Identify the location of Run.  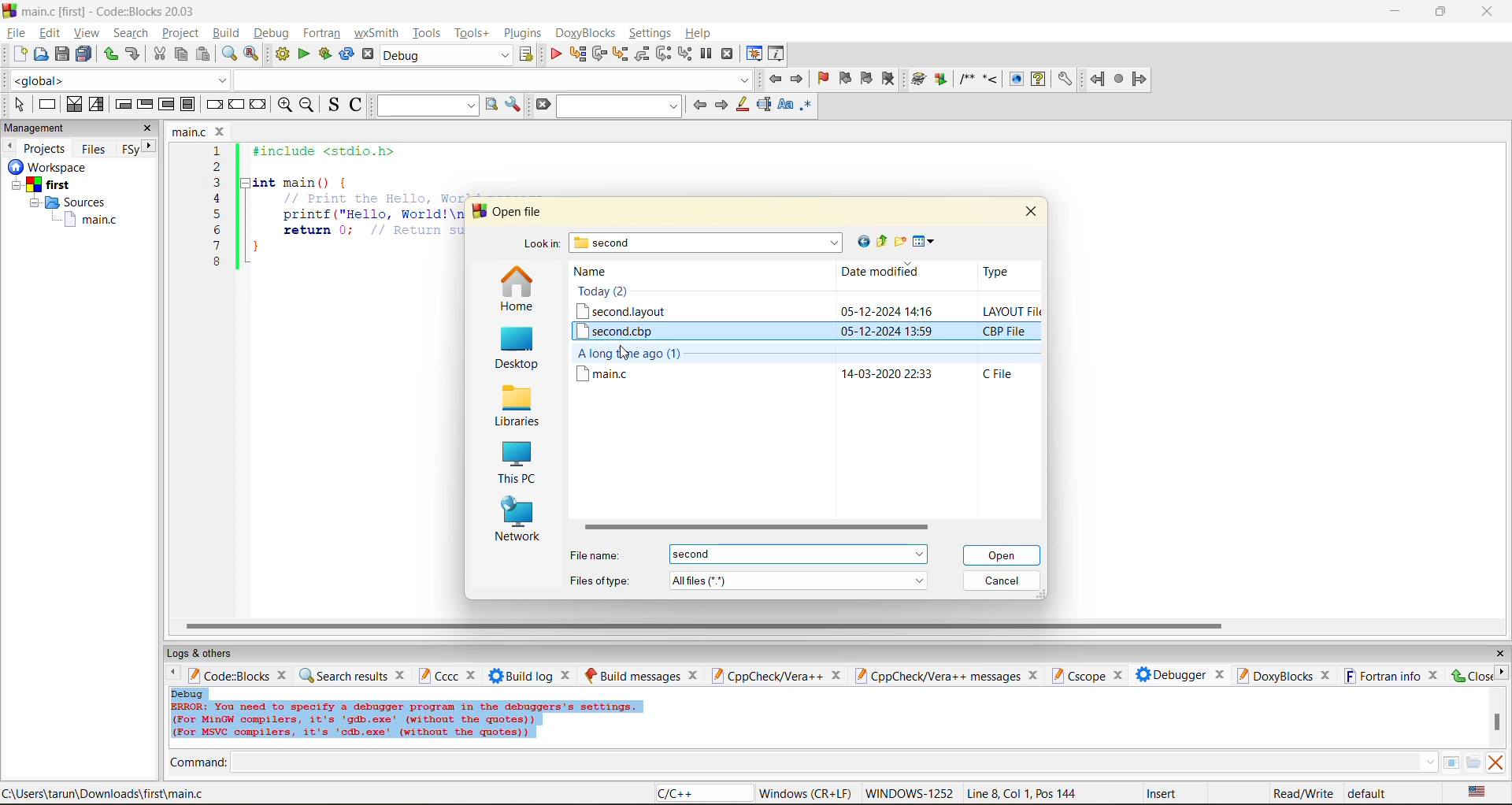
(941, 79).